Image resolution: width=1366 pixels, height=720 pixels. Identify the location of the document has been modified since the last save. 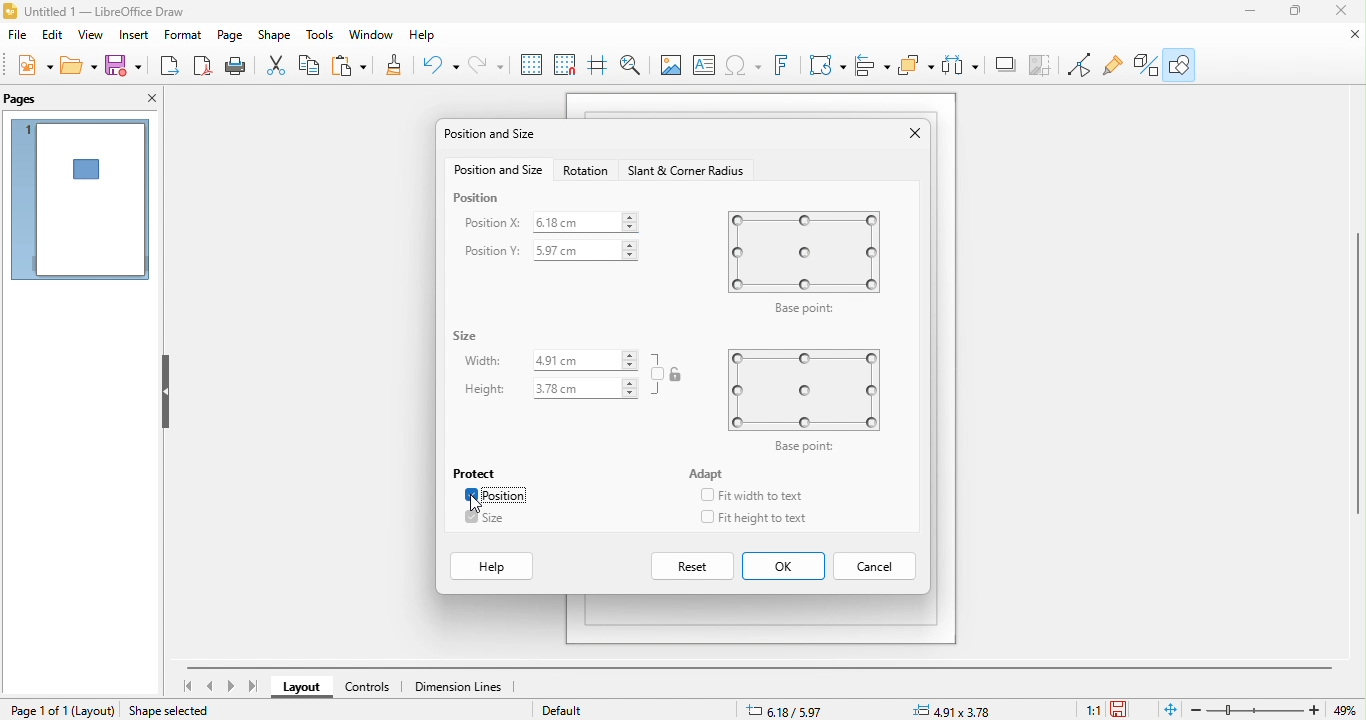
(1126, 709).